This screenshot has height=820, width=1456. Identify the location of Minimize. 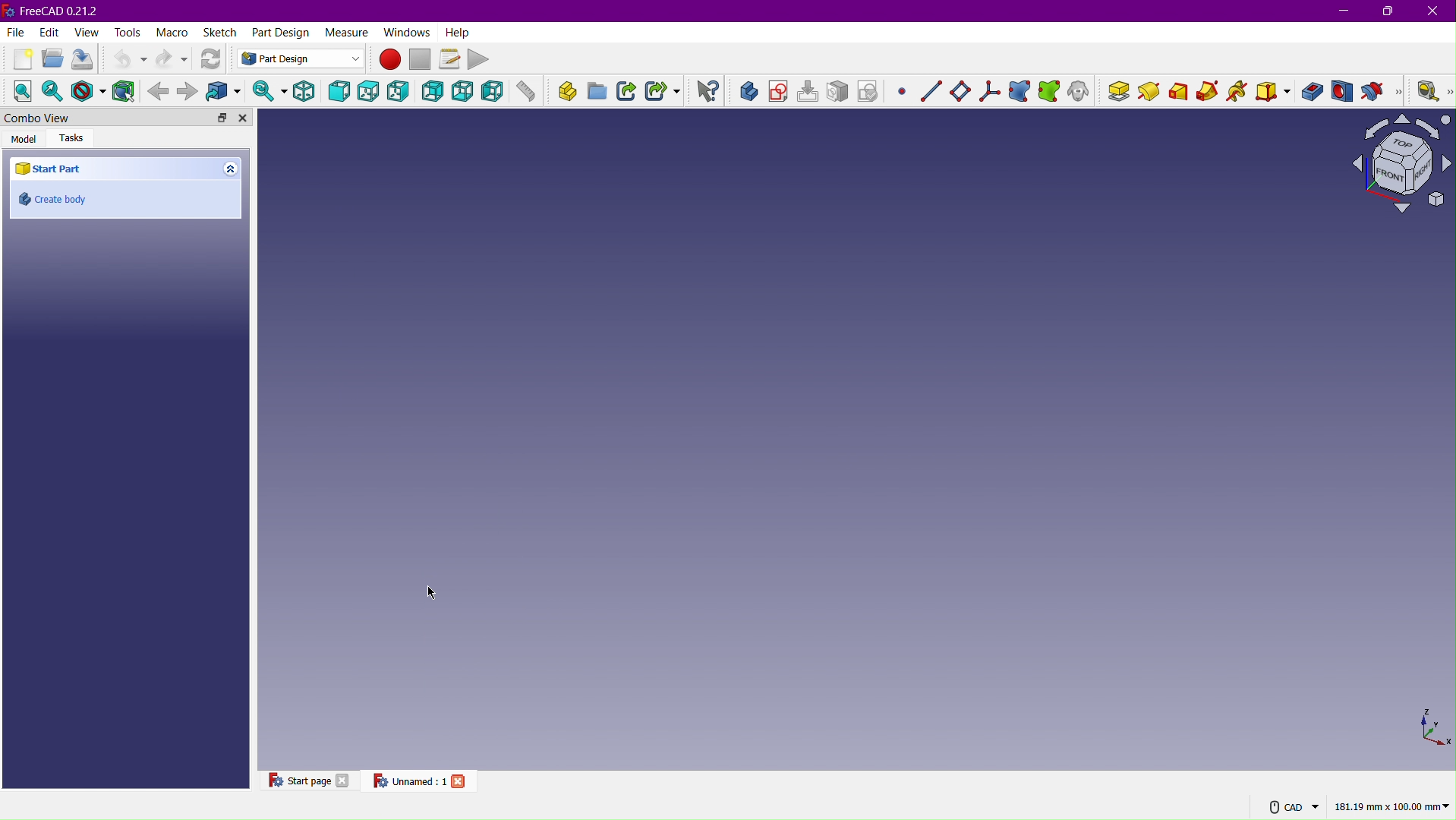
(1338, 11).